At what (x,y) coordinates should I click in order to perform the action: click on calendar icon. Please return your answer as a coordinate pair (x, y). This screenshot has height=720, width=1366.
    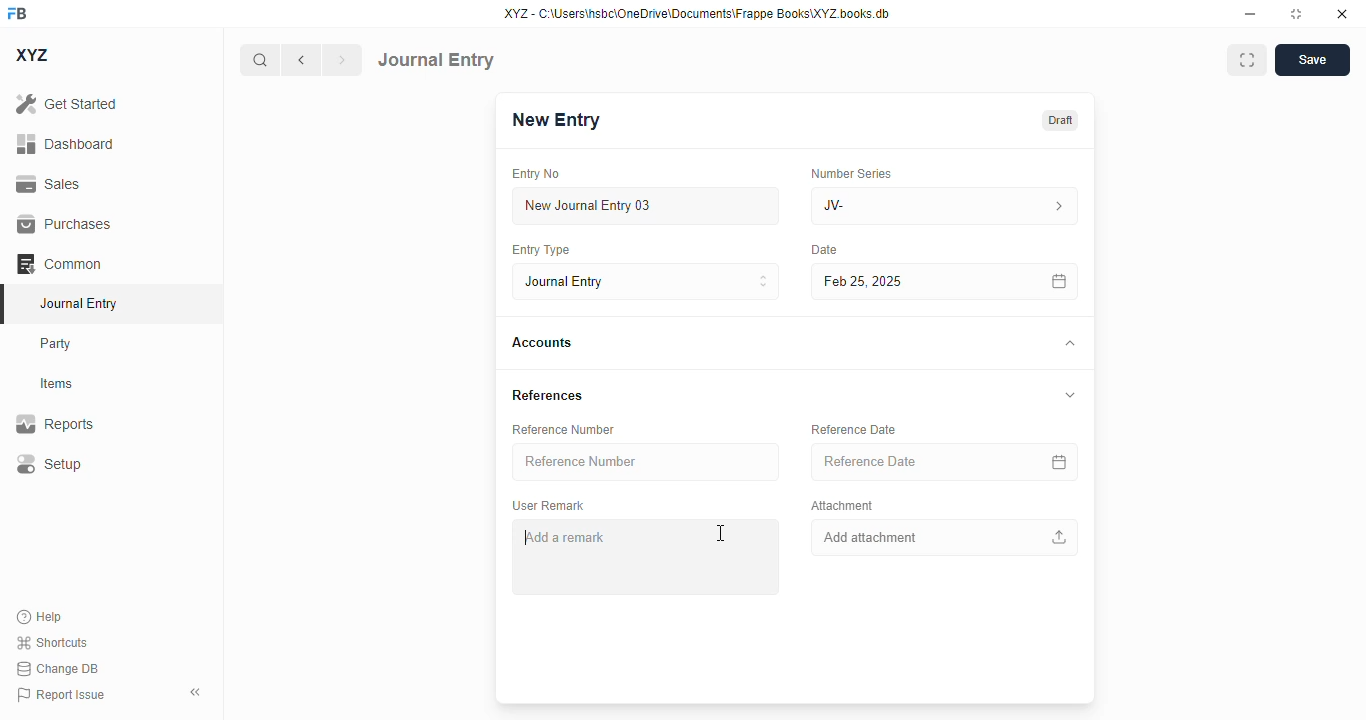
    Looking at the image, I should click on (1062, 282).